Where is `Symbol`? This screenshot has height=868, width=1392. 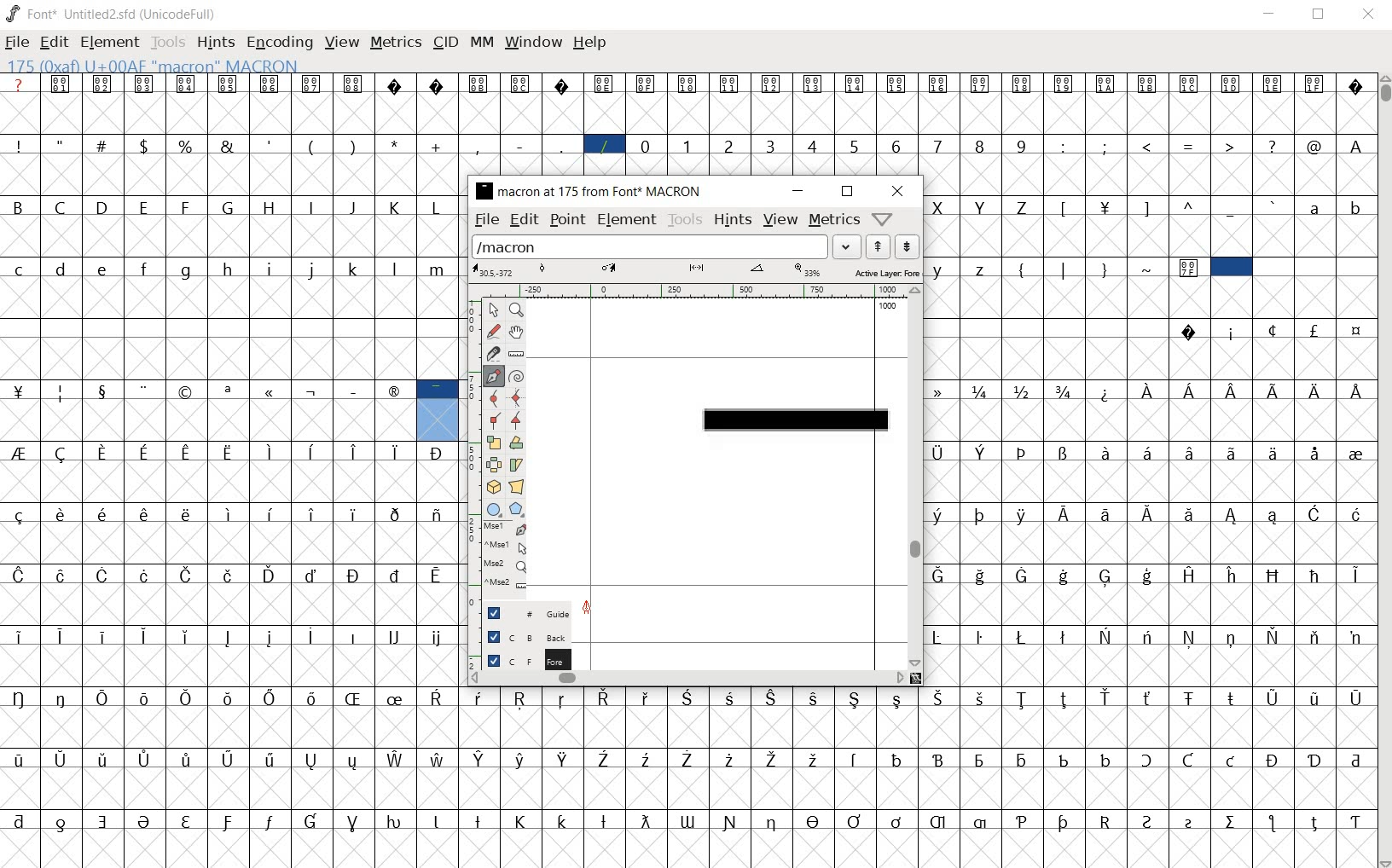
Symbol is located at coordinates (62, 454).